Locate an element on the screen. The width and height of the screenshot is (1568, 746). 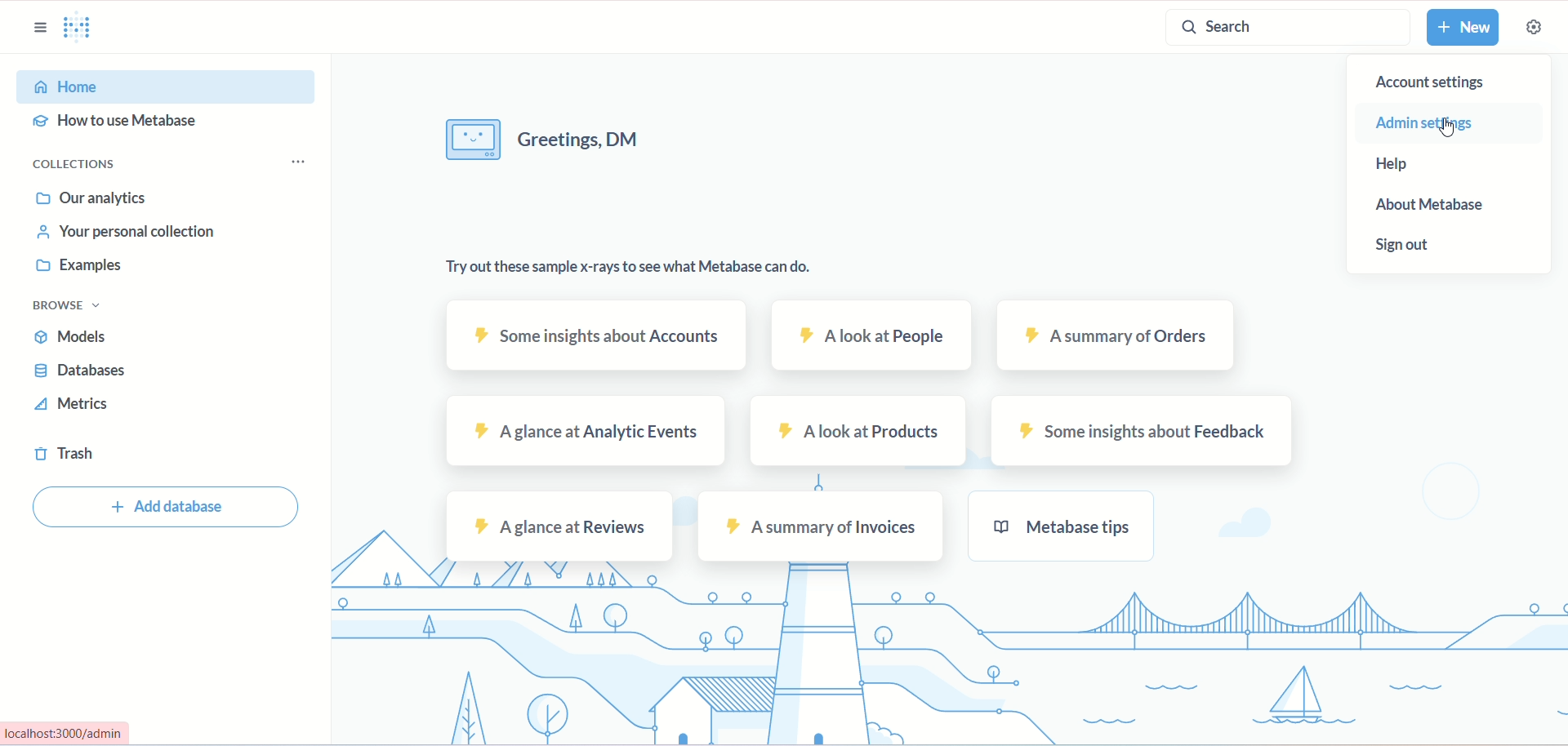
sign out is located at coordinates (1403, 248).